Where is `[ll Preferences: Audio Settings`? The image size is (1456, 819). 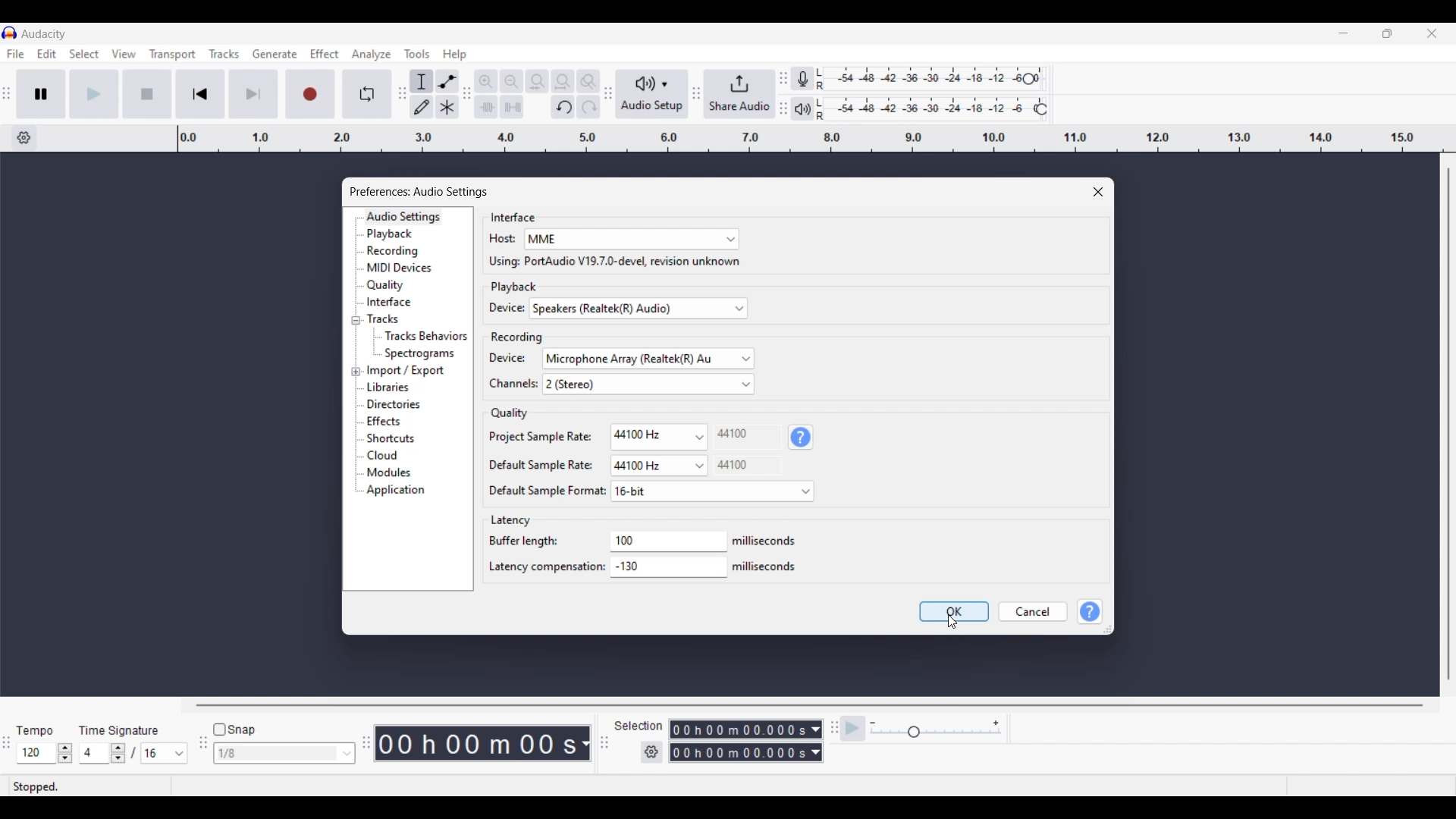 [ll Preferences: Audio Settings is located at coordinates (422, 190).